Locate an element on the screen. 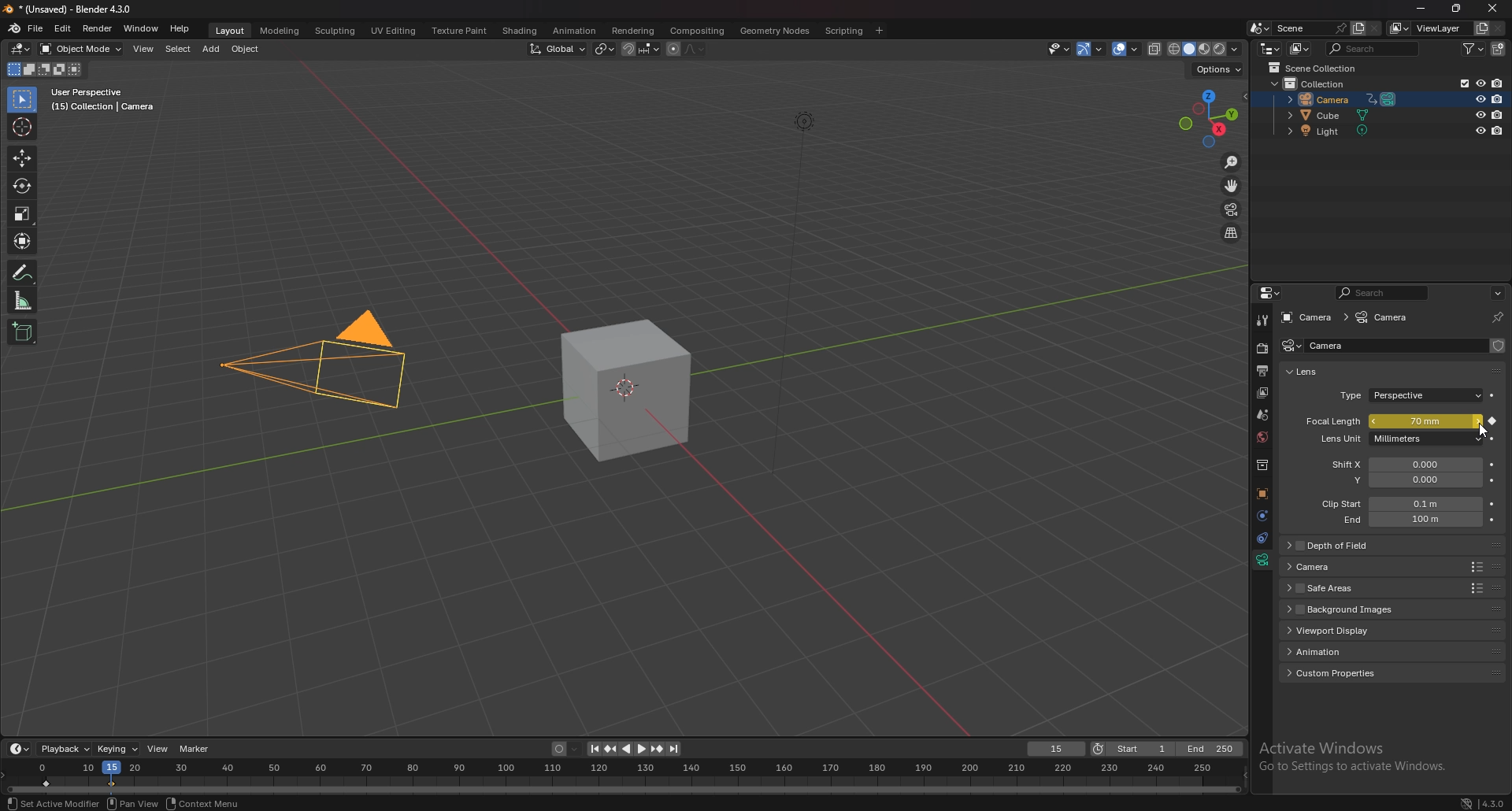 The width and height of the screenshot is (1512, 811). options is located at coordinates (1219, 69).